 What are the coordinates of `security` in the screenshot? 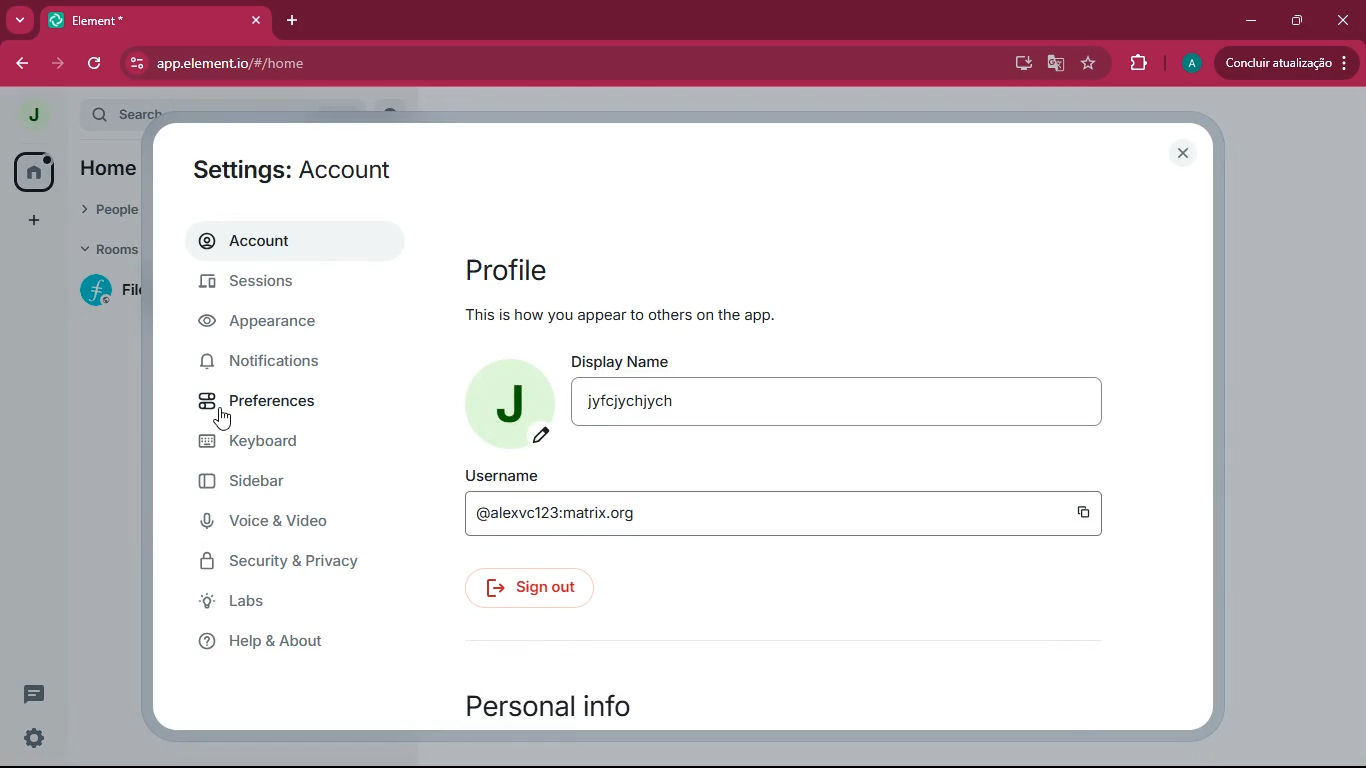 It's located at (287, 564).